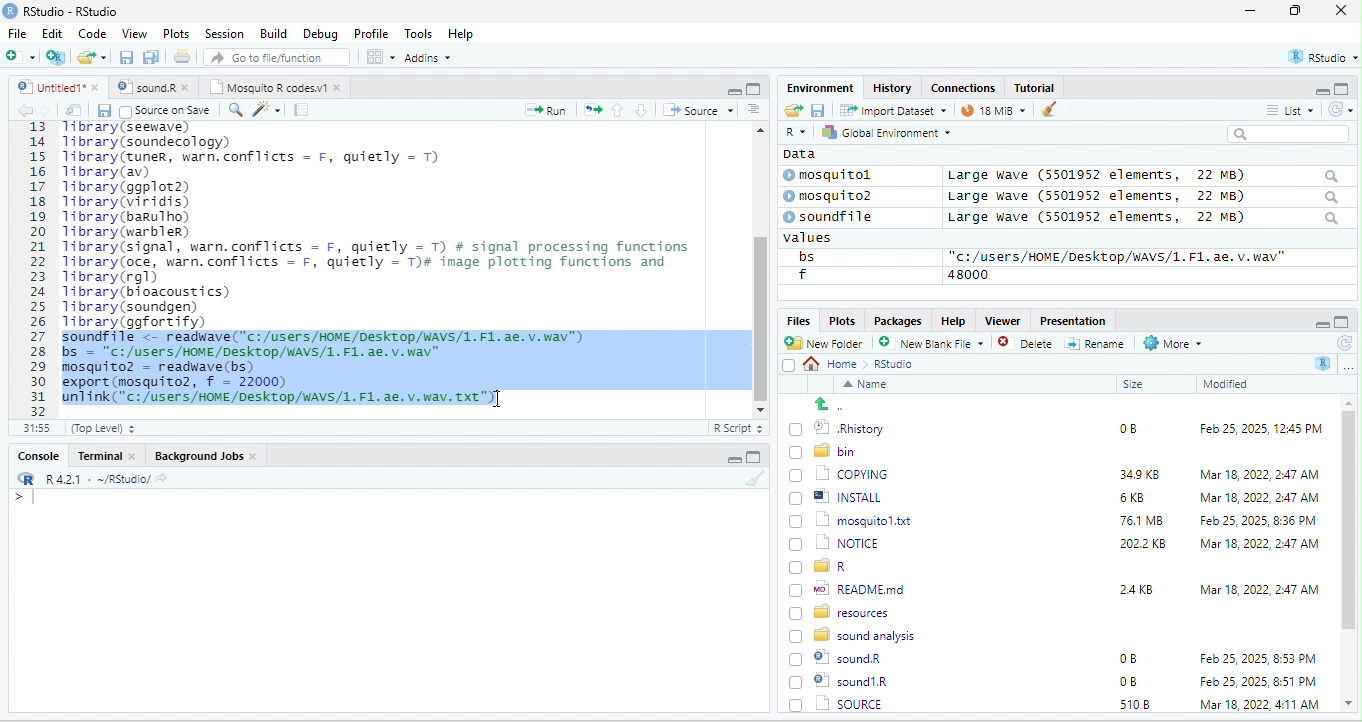 The width and height of the screenshot is (1362, 722). What do you see at coordinates (593, 108) in the screenshot?
I see `open` at bounding box center [593, 108].